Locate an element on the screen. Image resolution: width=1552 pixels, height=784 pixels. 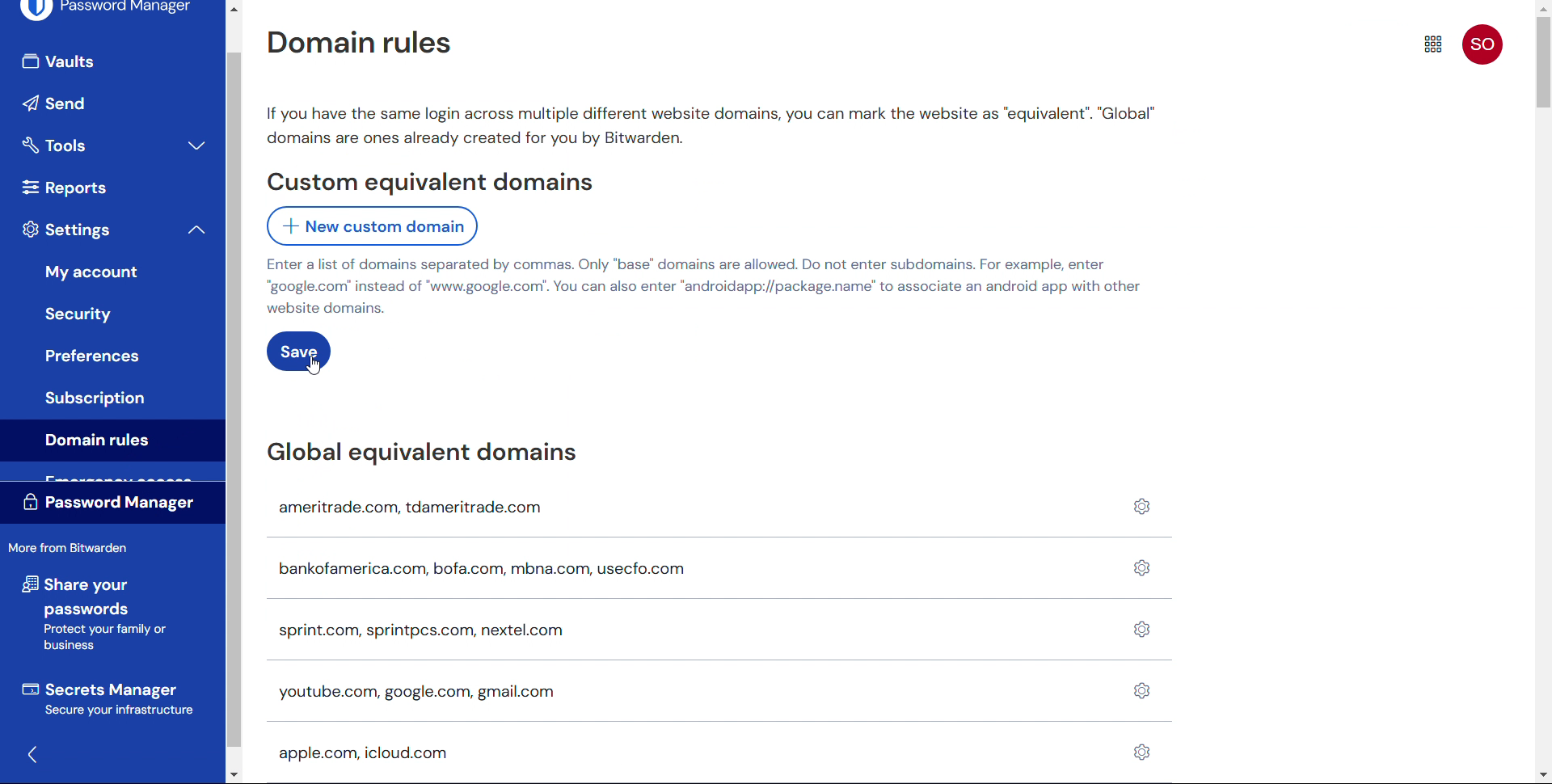
Subscription  is located at coordinates (95, 398).